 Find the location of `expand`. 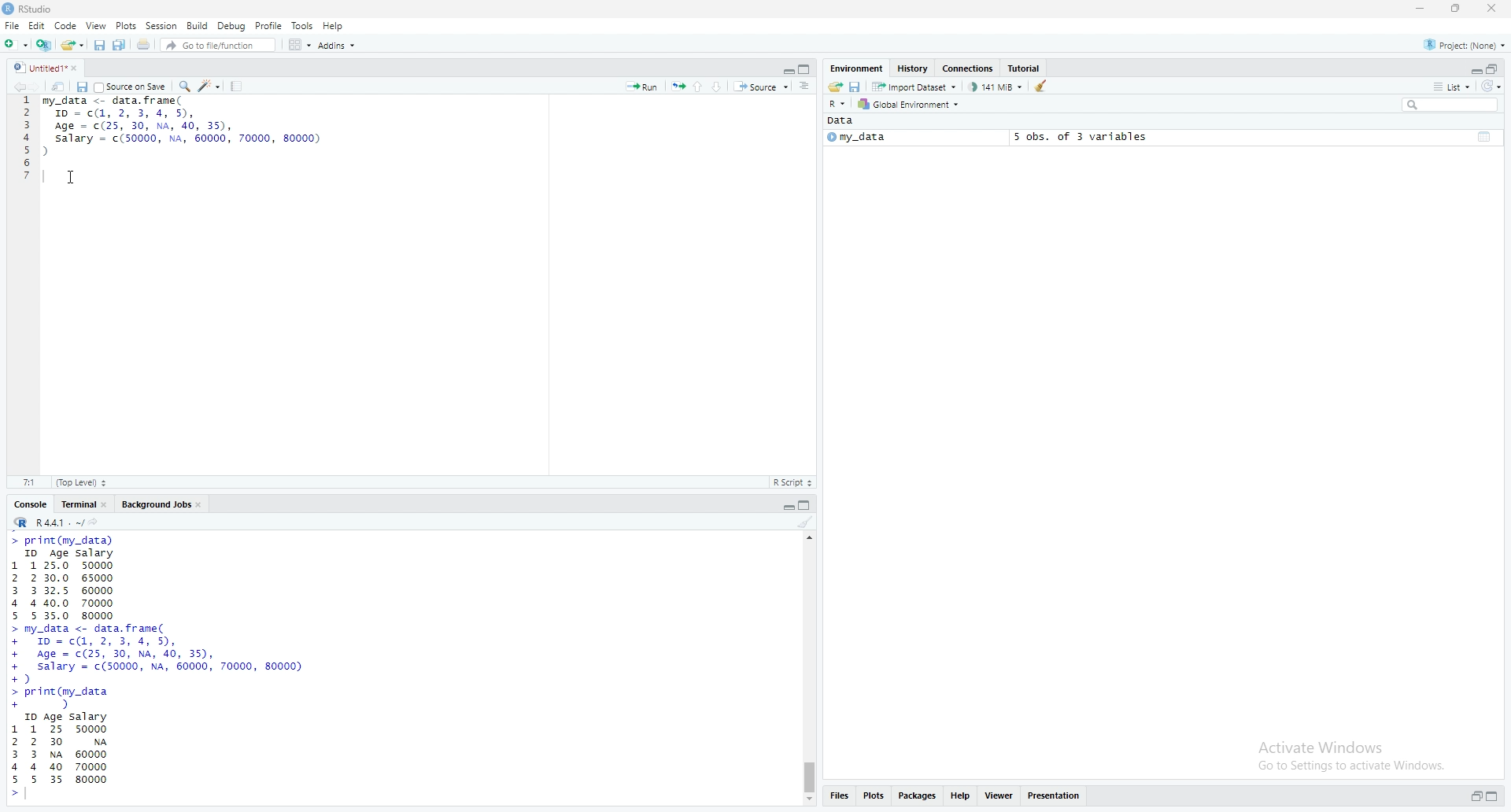

expand is located at coordinates (1474, 71).